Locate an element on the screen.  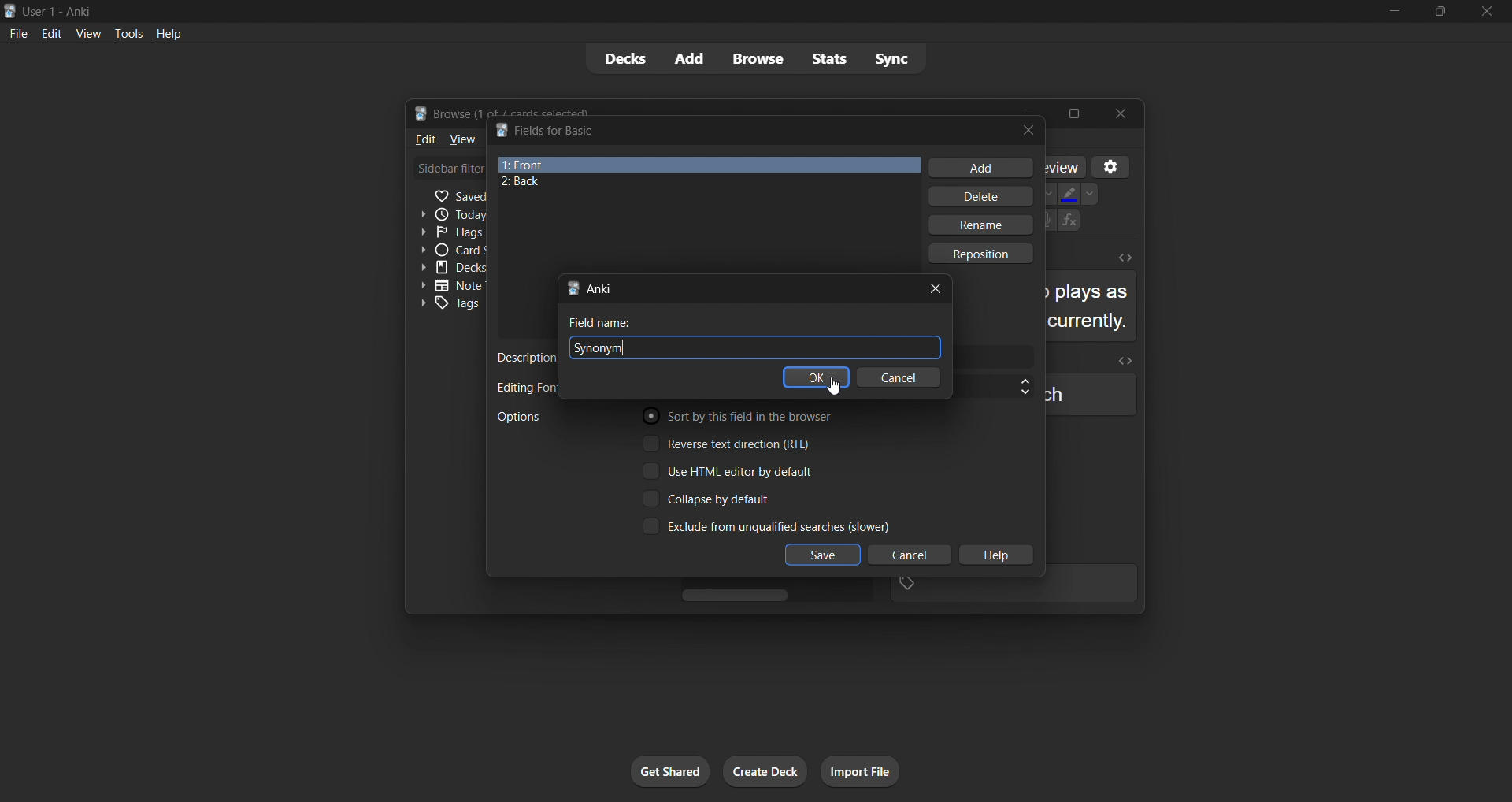
field name is located at coordinates (608, 323).